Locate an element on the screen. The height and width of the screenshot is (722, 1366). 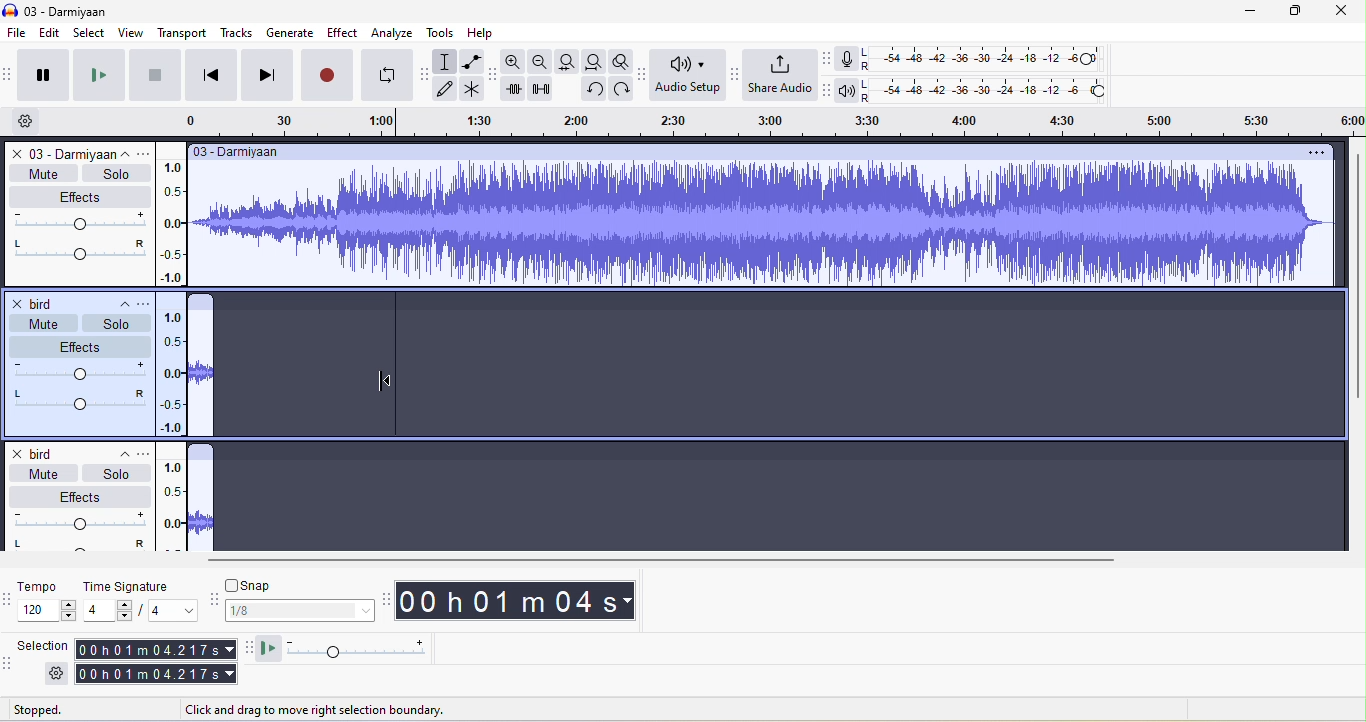
edit is located at coordinates (53, 34).